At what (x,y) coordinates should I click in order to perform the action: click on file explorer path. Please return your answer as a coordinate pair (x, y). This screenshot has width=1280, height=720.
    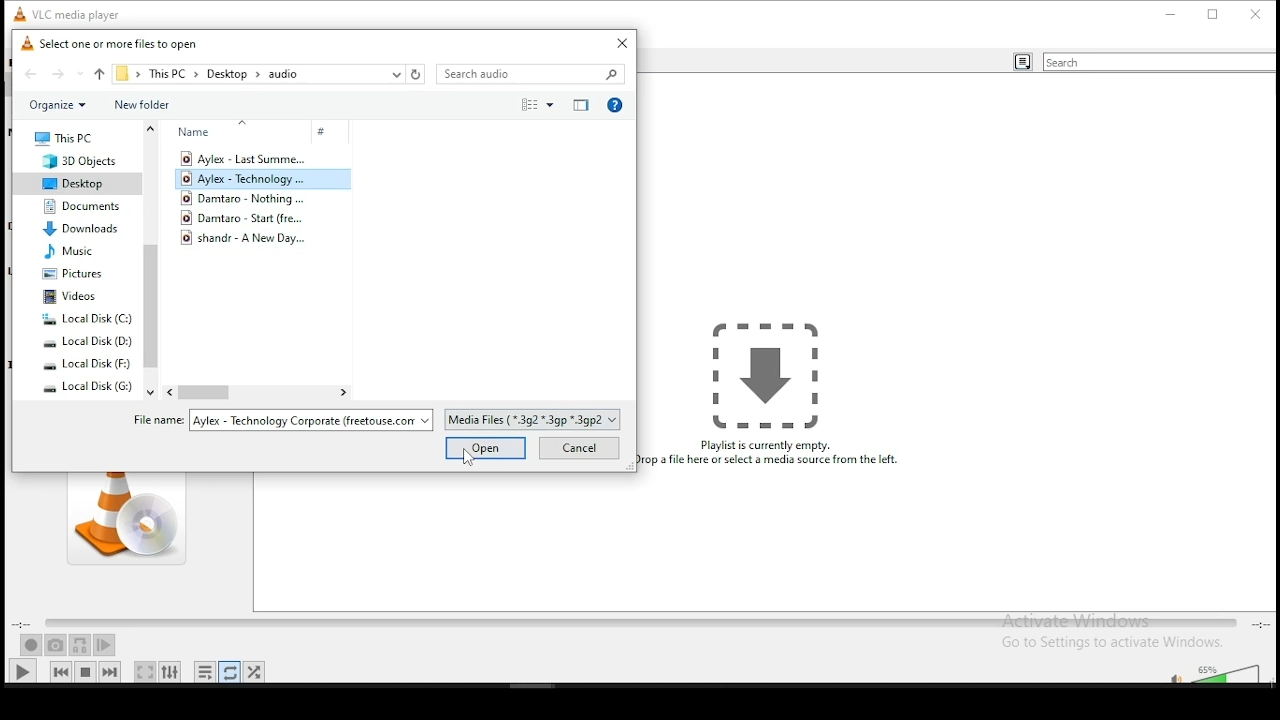
    Looking at the image, I should click on (123, 74).